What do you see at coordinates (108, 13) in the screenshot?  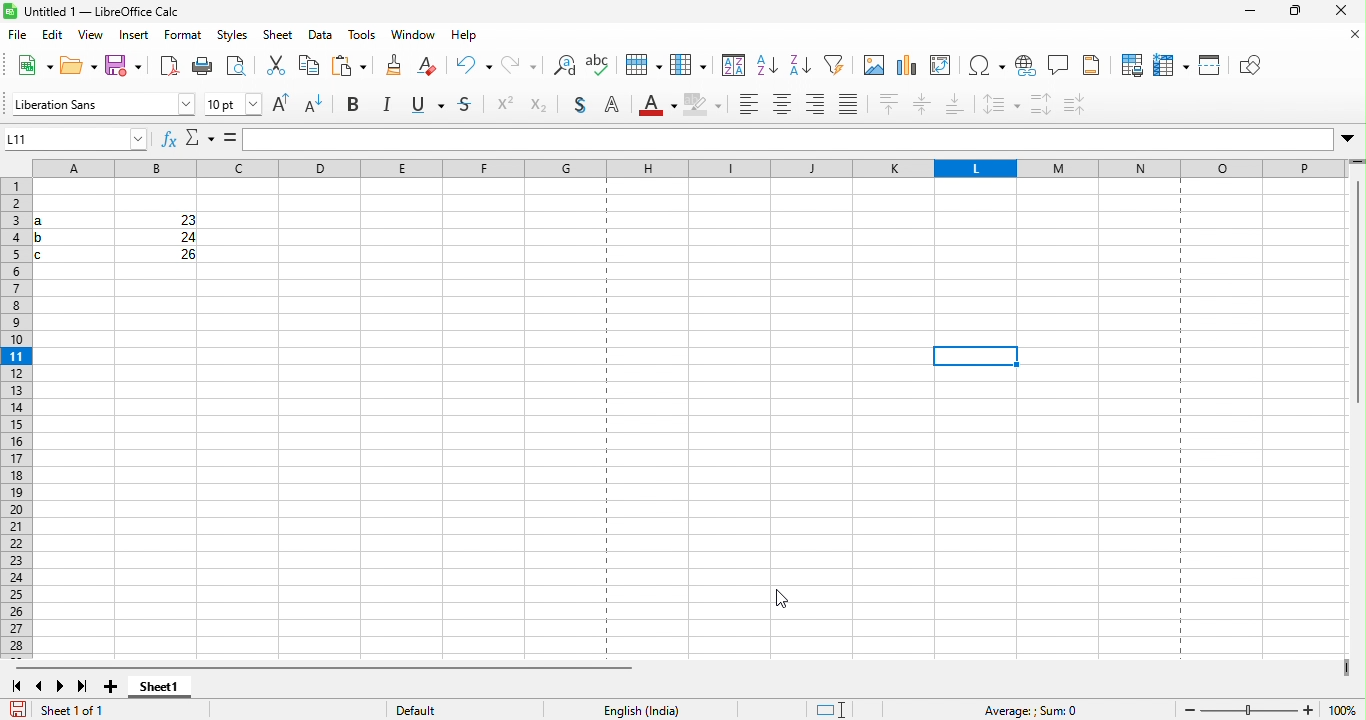 I see `title` at bounding box center [108, 13].